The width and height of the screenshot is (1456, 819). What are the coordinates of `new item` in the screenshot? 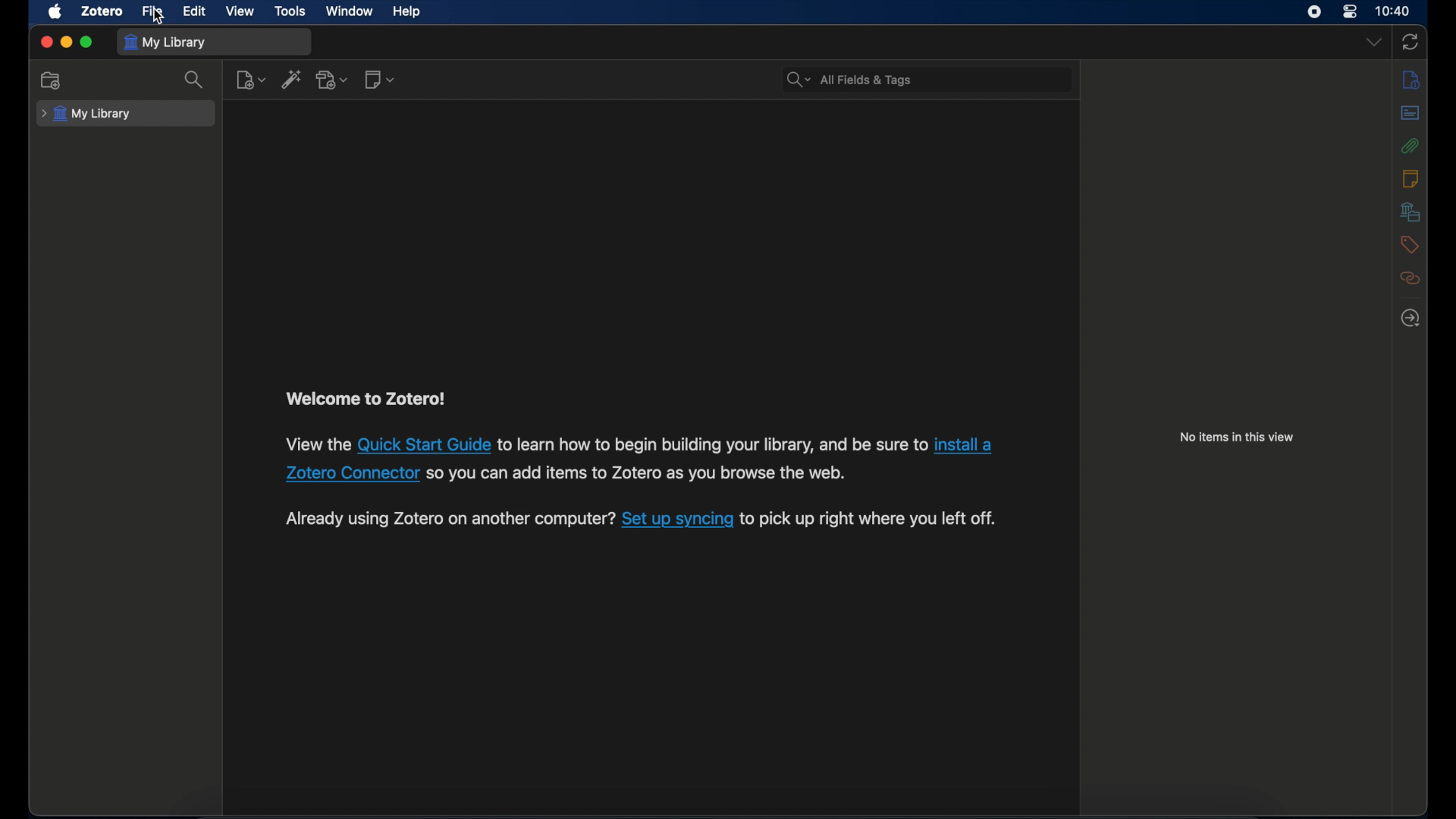 It's located at (250, 80).